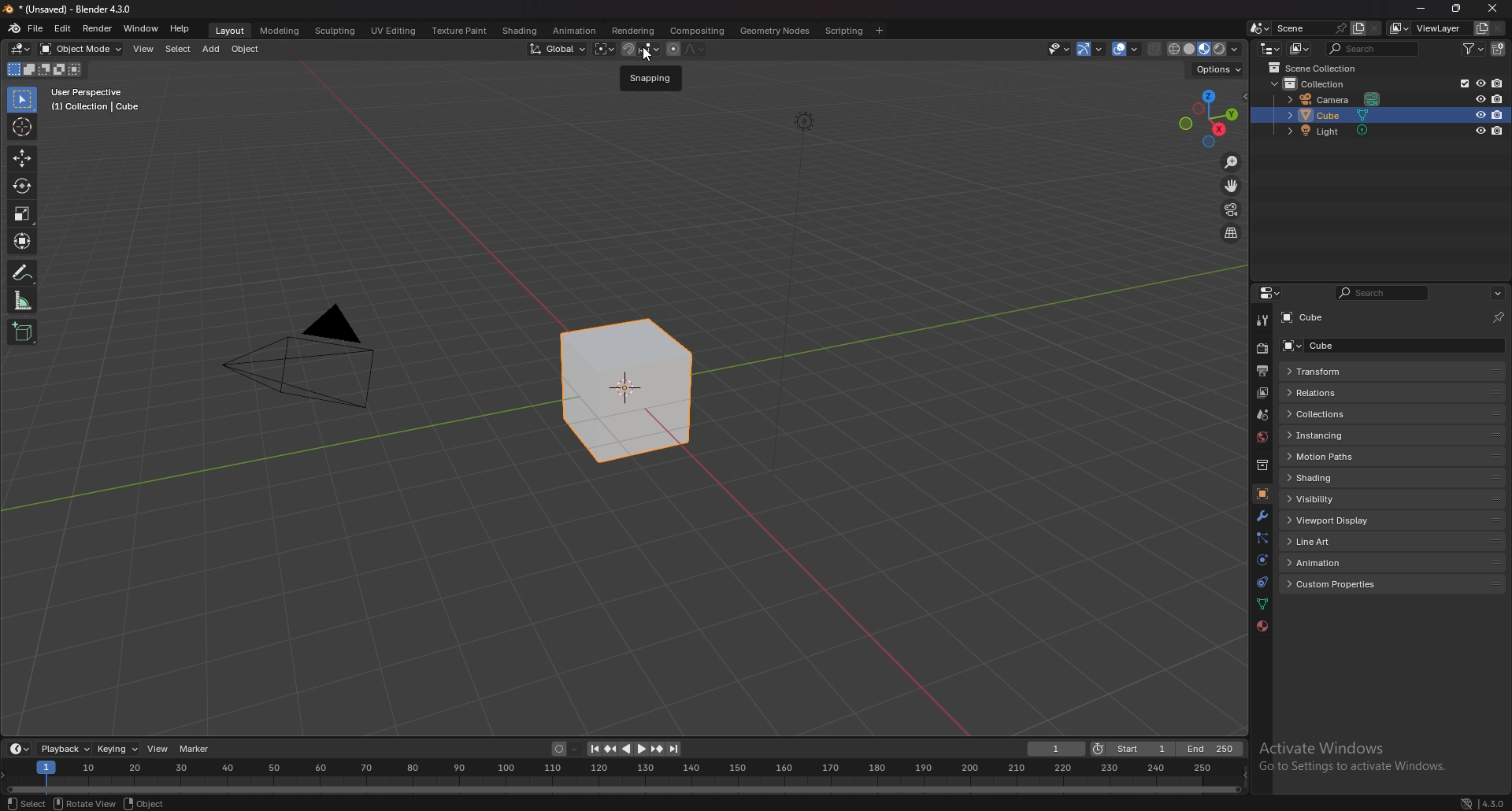 The width and height of the screenshot is (1512, 811). Describe the element at coordinates (1260, 28) in the screenshot. I see `browse scene` at that location.